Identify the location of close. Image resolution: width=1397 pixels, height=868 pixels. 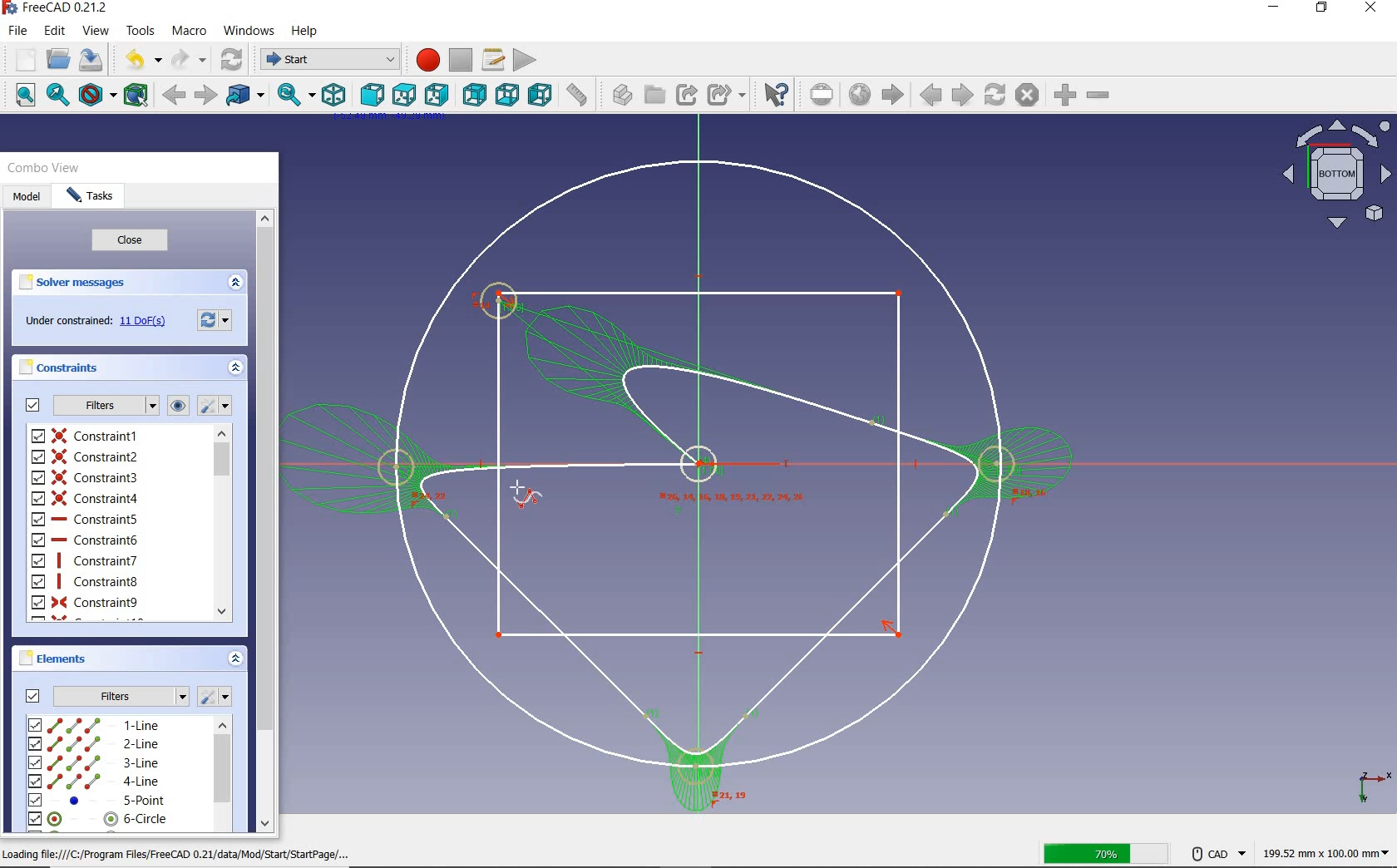
(131, 241).